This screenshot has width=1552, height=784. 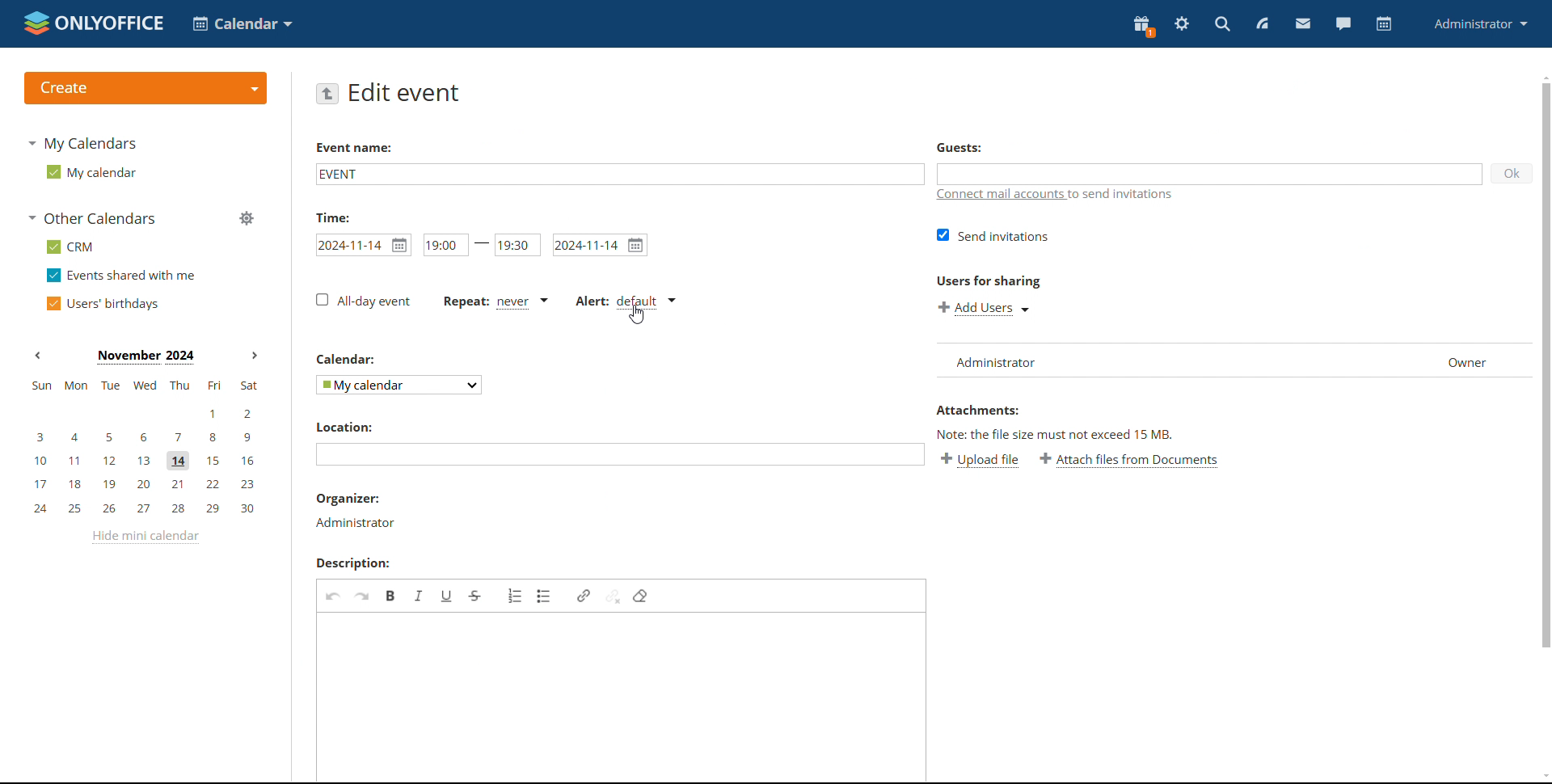 What do you see at coordinates (1546, 365) in the screenshot?
I see `scrollbar` at bounding box center [1546, 365].